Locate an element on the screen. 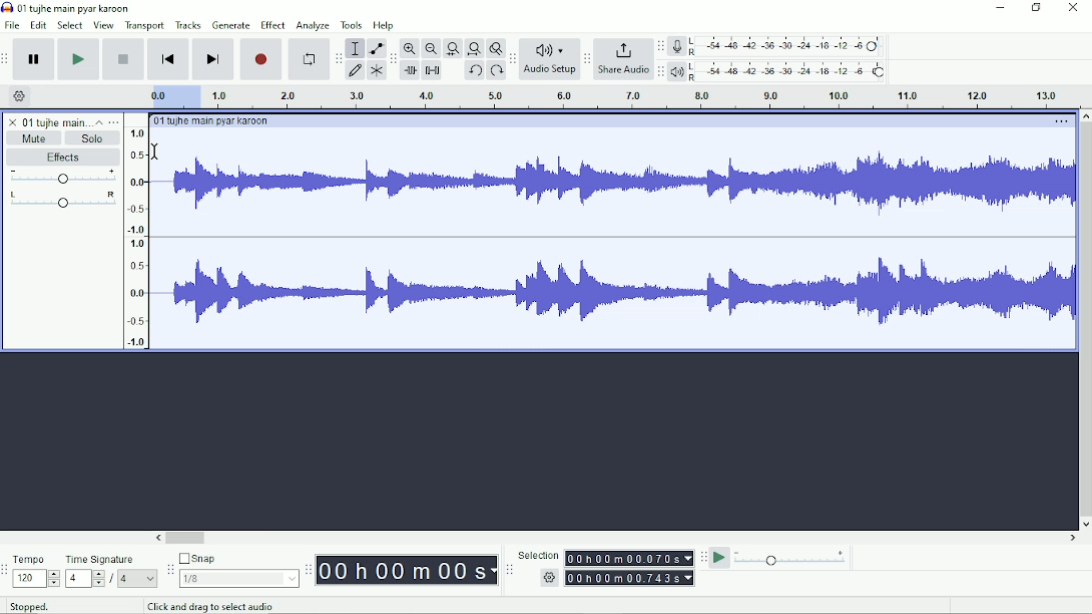  Horizontal scrollbar is located at coordinates (617, 538).